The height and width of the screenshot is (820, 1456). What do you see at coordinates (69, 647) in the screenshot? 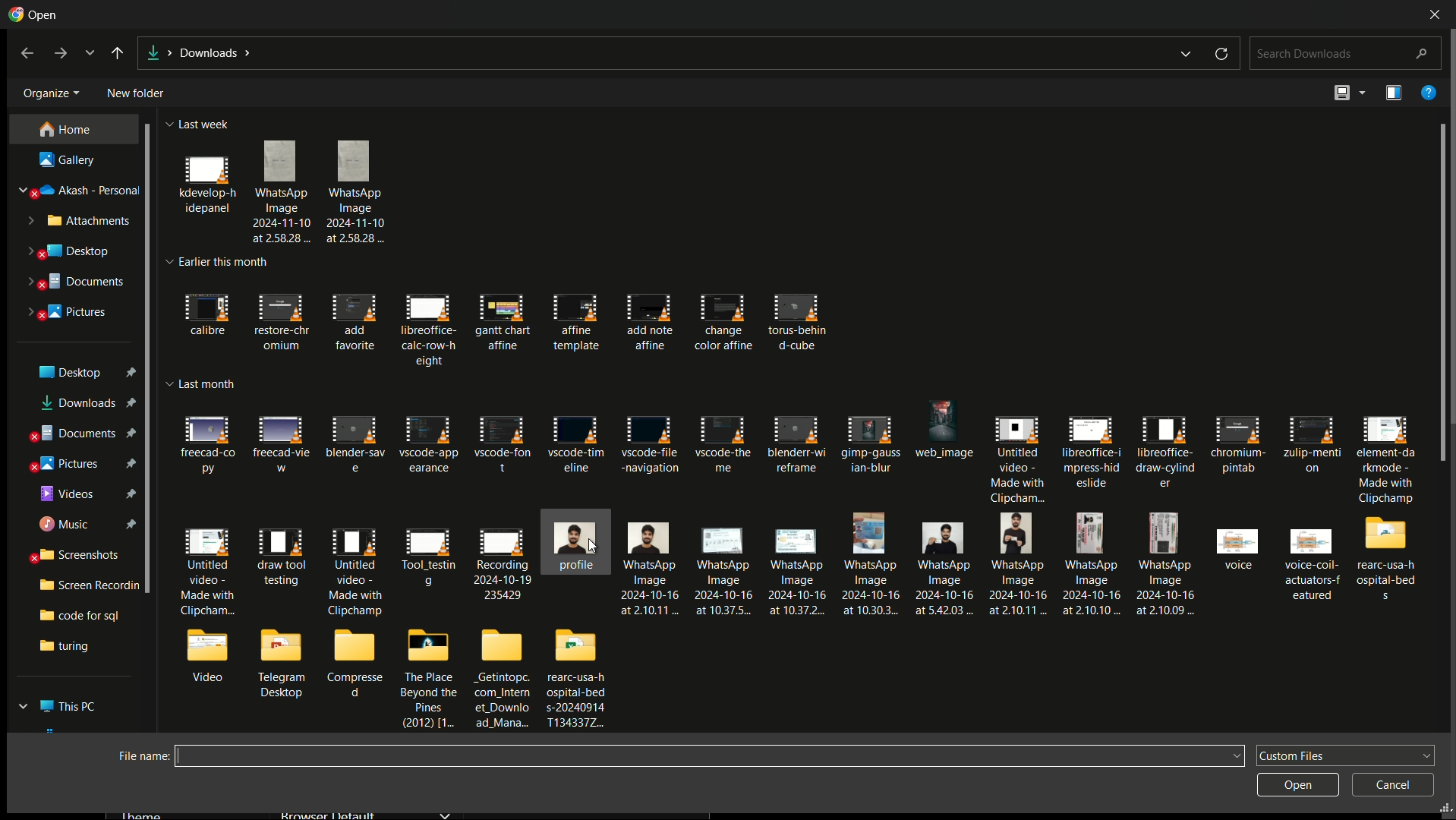
I see `turing` at bounding box center [69, 647].